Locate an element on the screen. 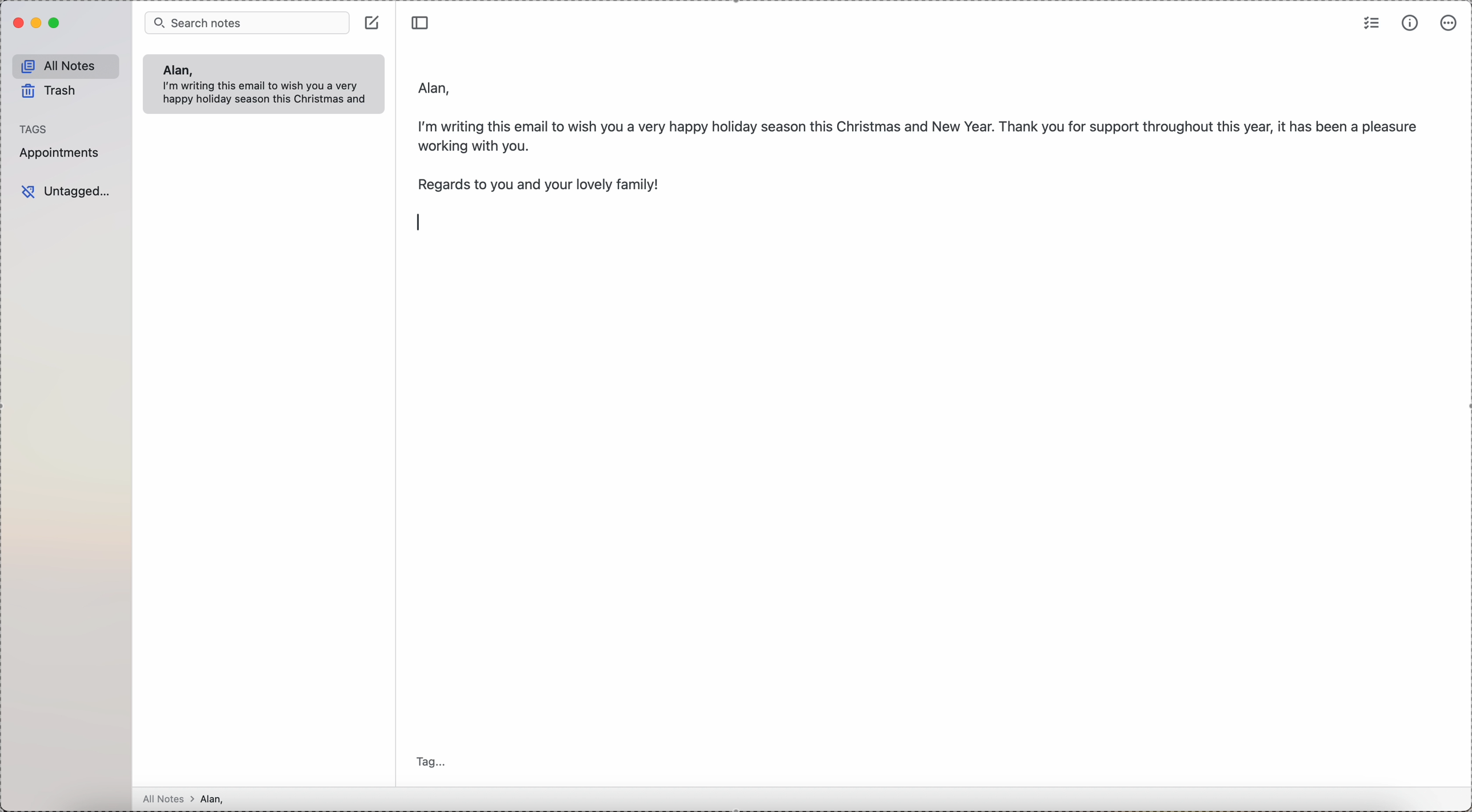  trash is located at coordinates (51, 93).